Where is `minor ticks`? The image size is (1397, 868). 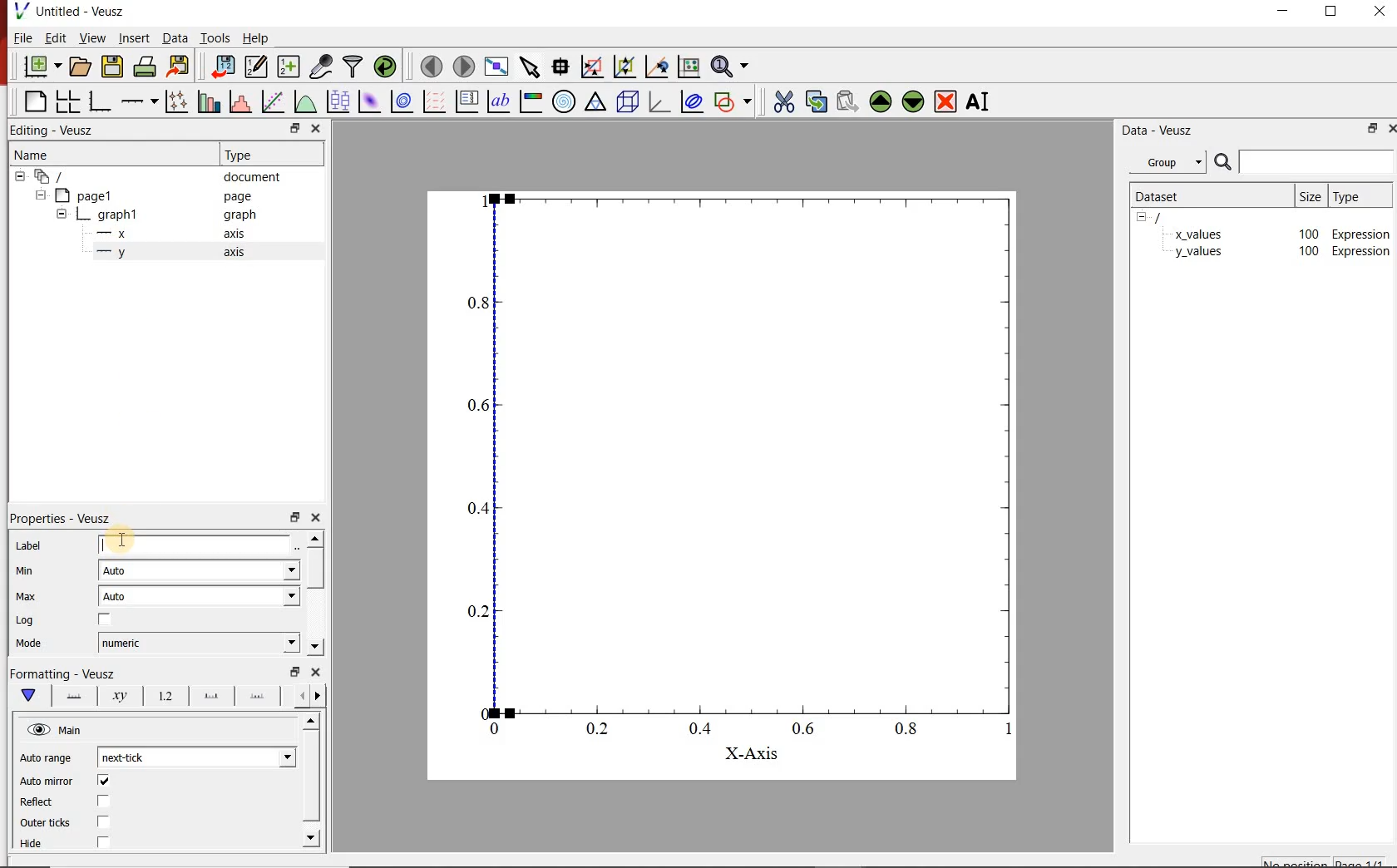 minor ticks is located at coordinates (259, 696).